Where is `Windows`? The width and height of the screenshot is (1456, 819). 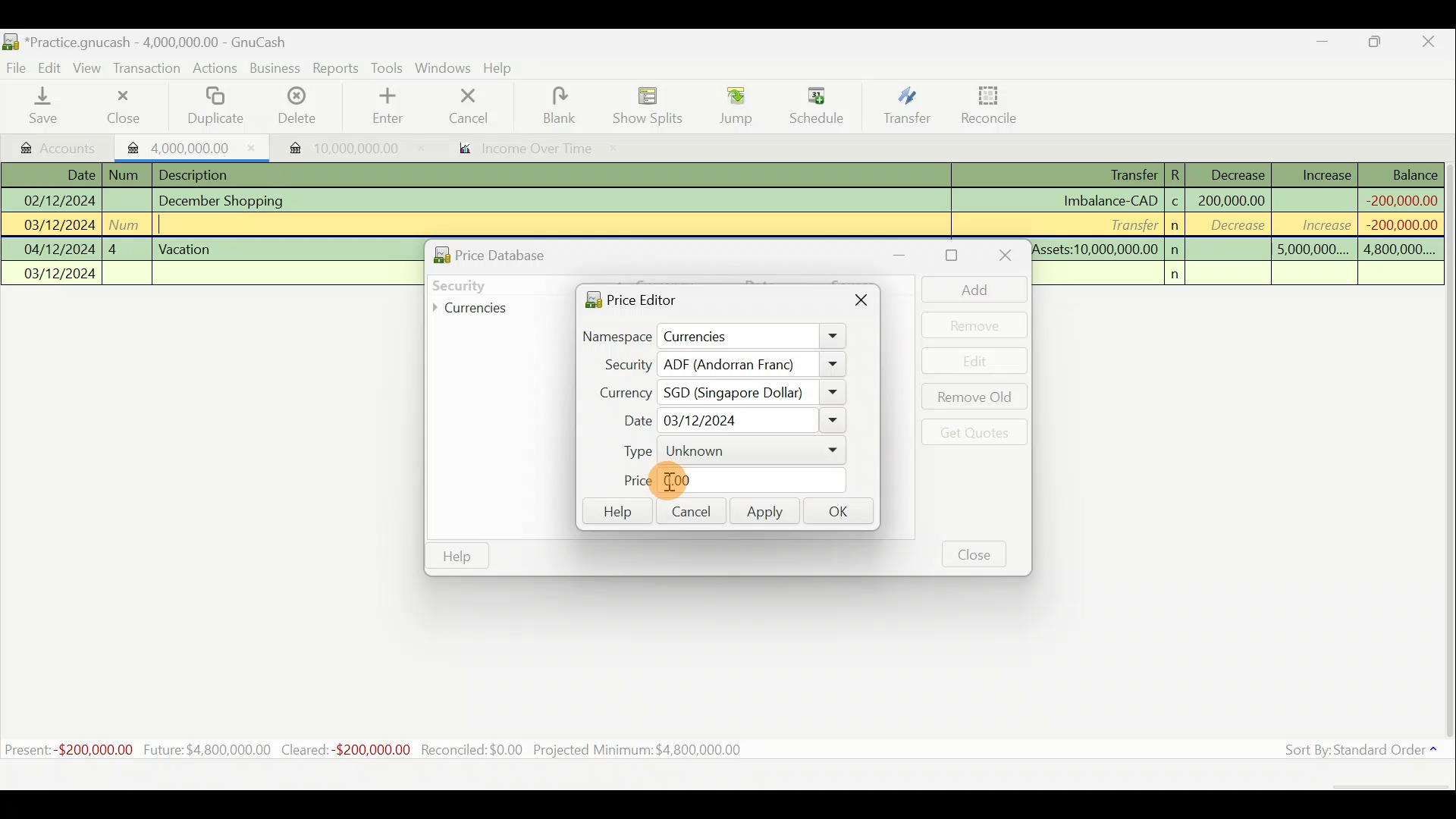 Windows is located at coordinates (443, 68).